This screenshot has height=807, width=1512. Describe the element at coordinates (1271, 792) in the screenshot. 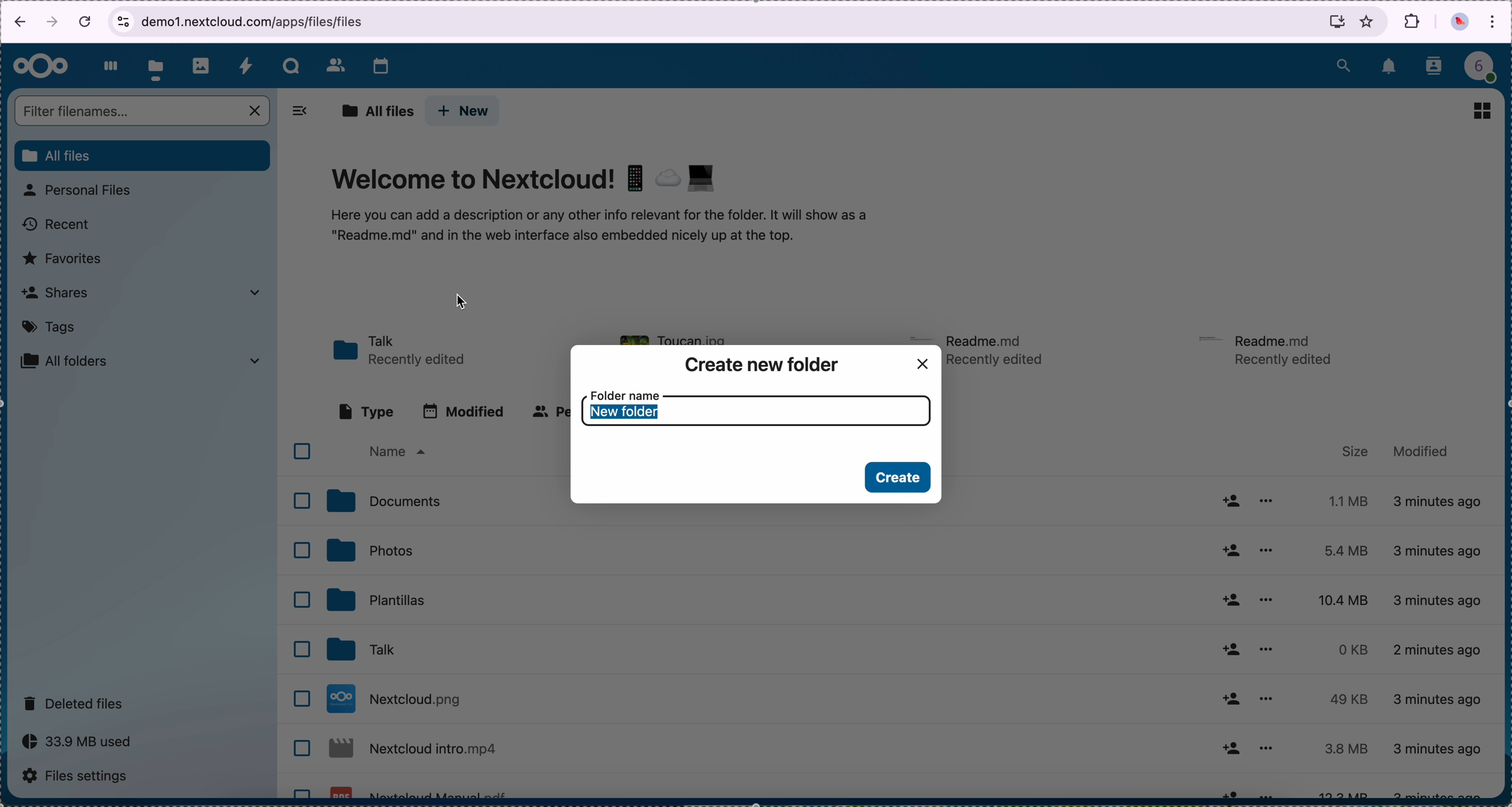

I see `more options` at that location.